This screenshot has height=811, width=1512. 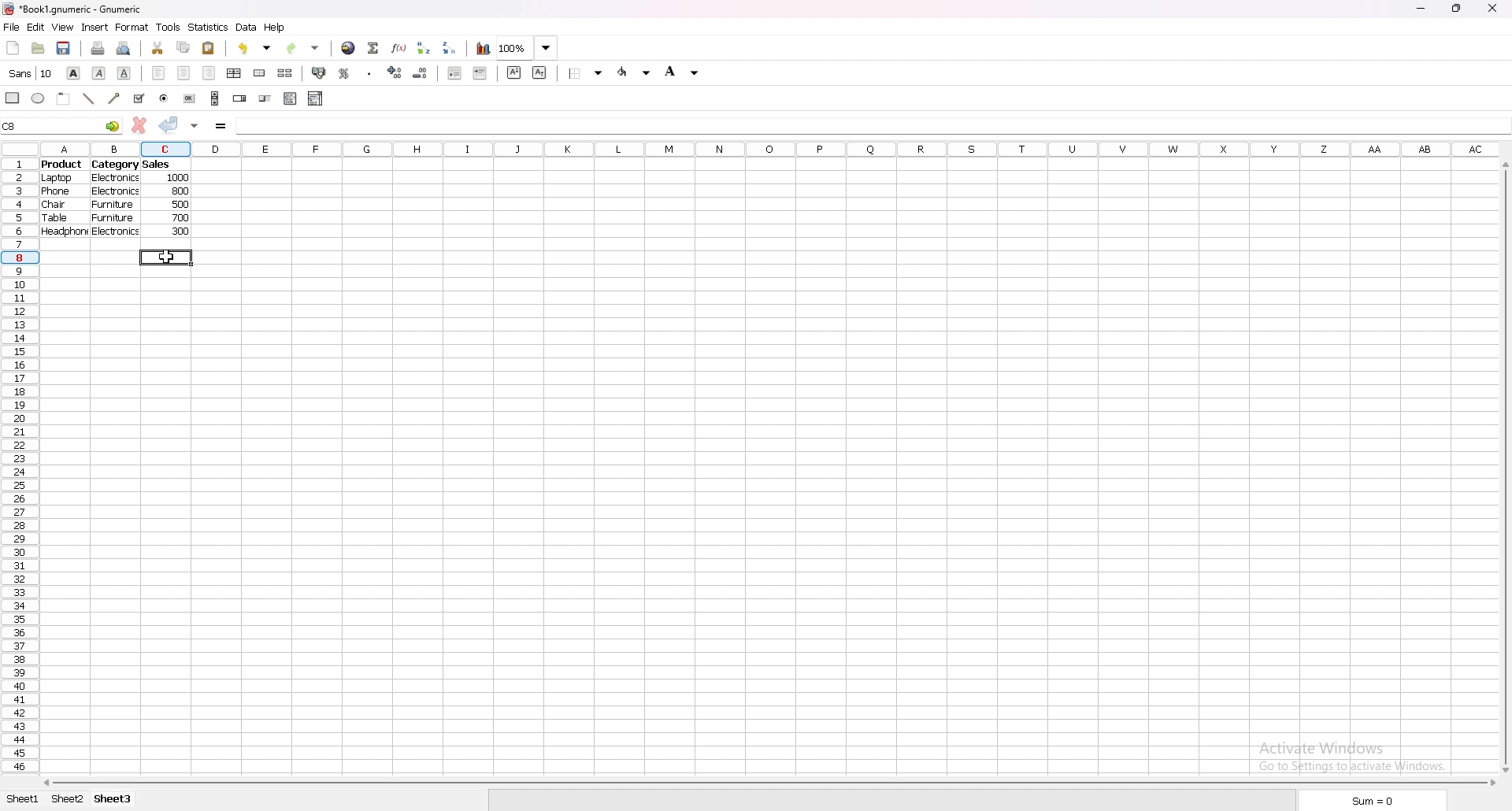 What do you see at coordinates (235, 73) in the screenshot?
I see `centre horizontally` at bounding box center [235, 73].